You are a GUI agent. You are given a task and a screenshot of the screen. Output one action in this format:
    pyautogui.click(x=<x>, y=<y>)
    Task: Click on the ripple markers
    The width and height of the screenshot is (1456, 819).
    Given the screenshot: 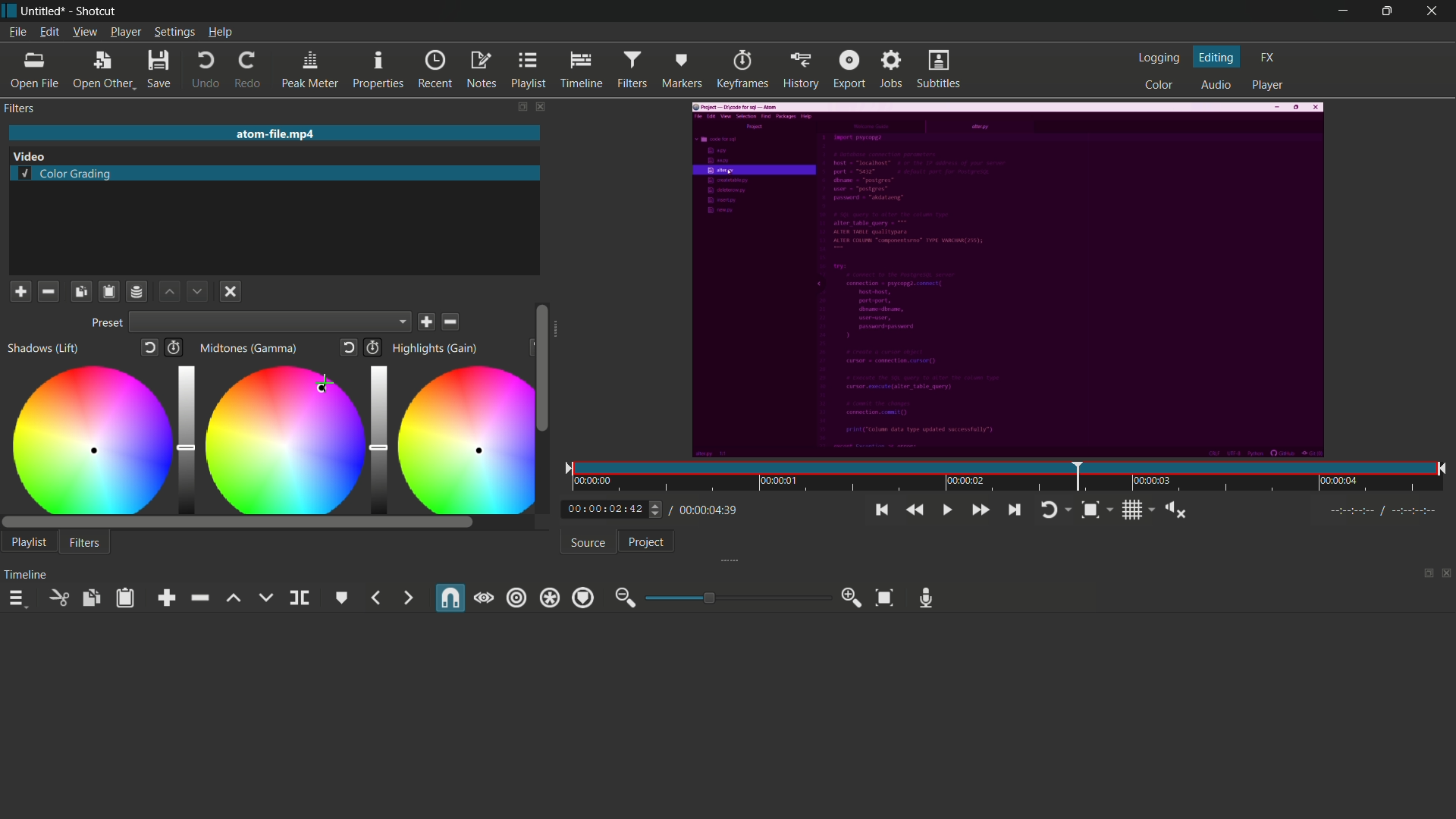 What is the action you would take?
    pyautogui.click(x=583, y=598)
    